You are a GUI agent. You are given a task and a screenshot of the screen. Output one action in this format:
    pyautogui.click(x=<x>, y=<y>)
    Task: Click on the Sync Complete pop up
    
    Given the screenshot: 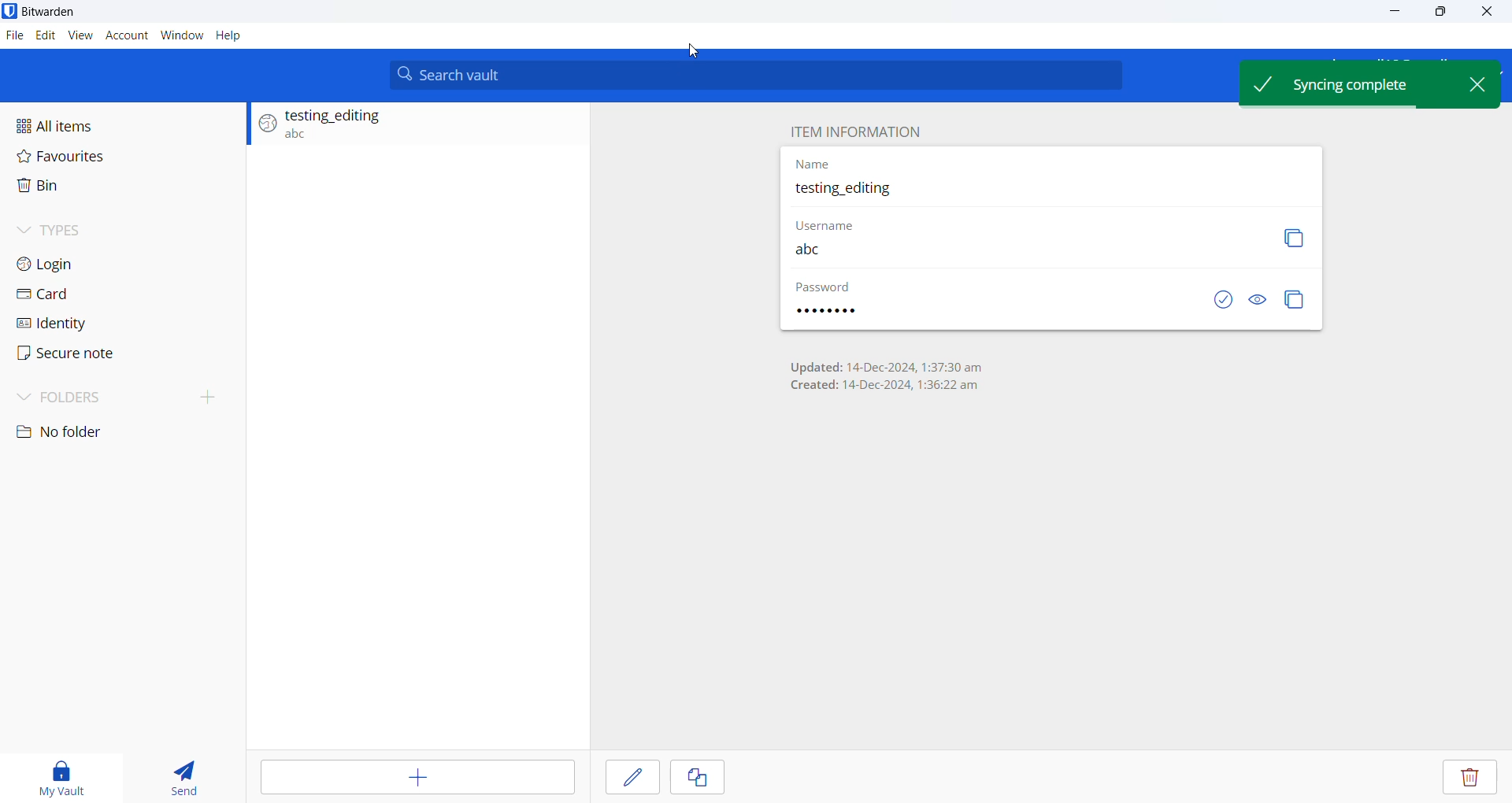 What is the action you would take?
    pyautogui.click(x=1343, y=87)
    